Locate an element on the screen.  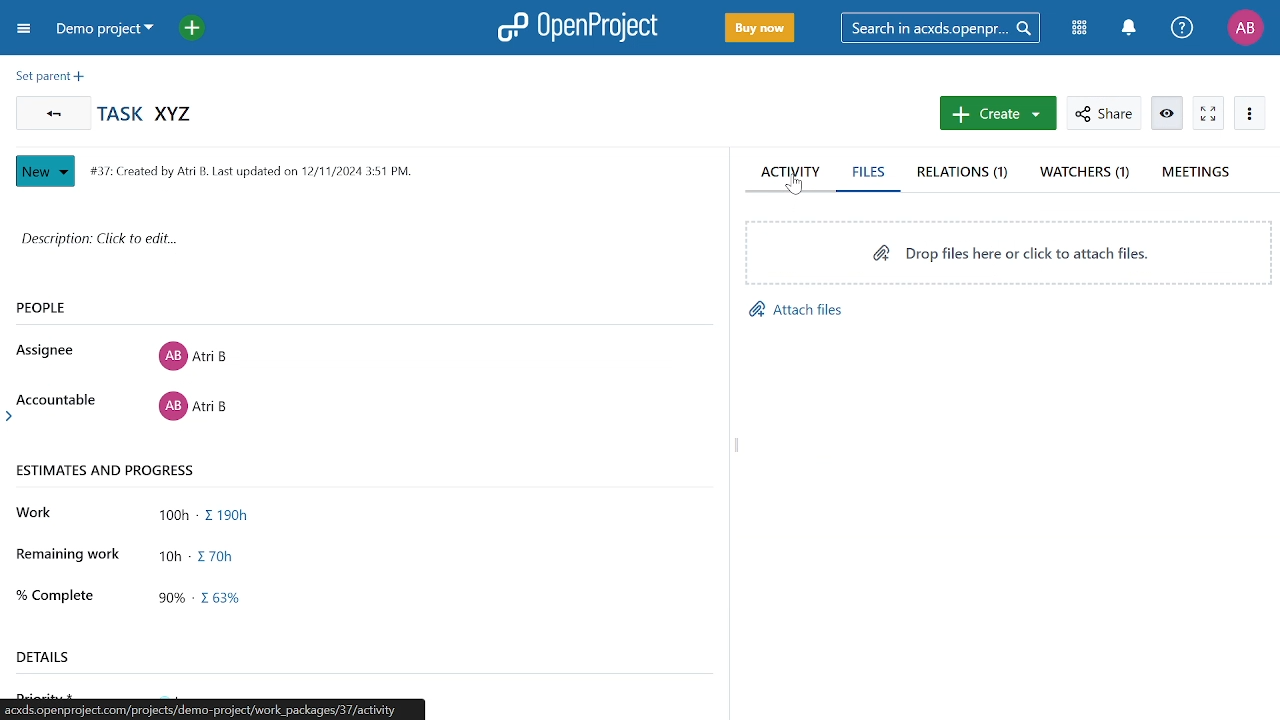
Task name is located at coordinates (166, 116).